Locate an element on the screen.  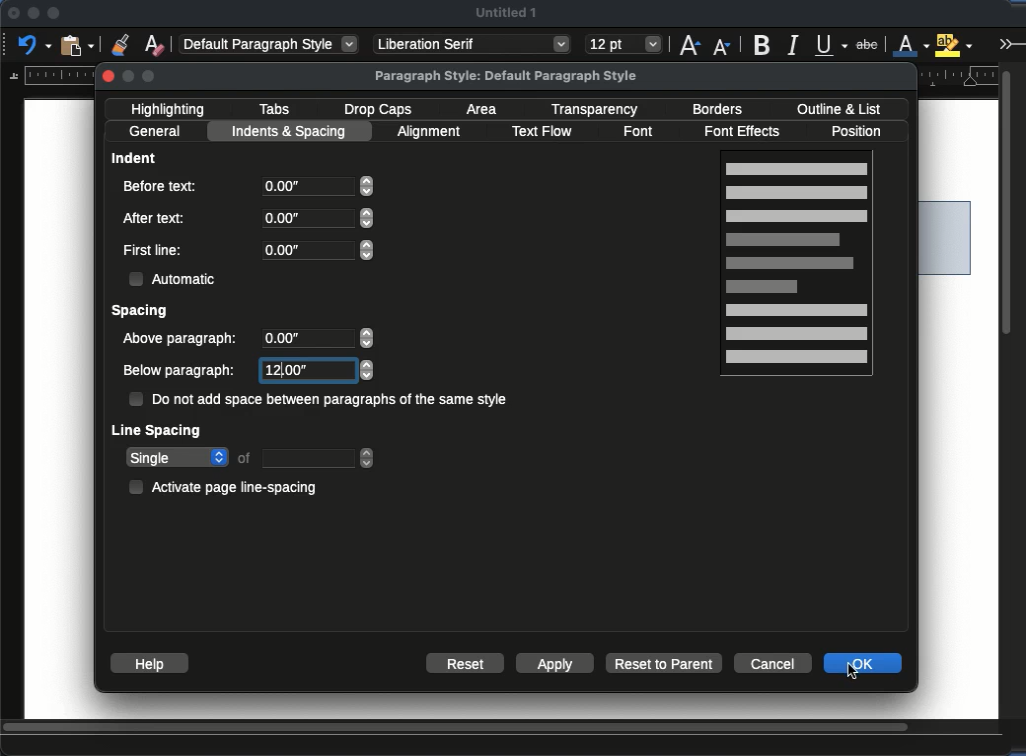
tabs is located at coordinates (274, 109).